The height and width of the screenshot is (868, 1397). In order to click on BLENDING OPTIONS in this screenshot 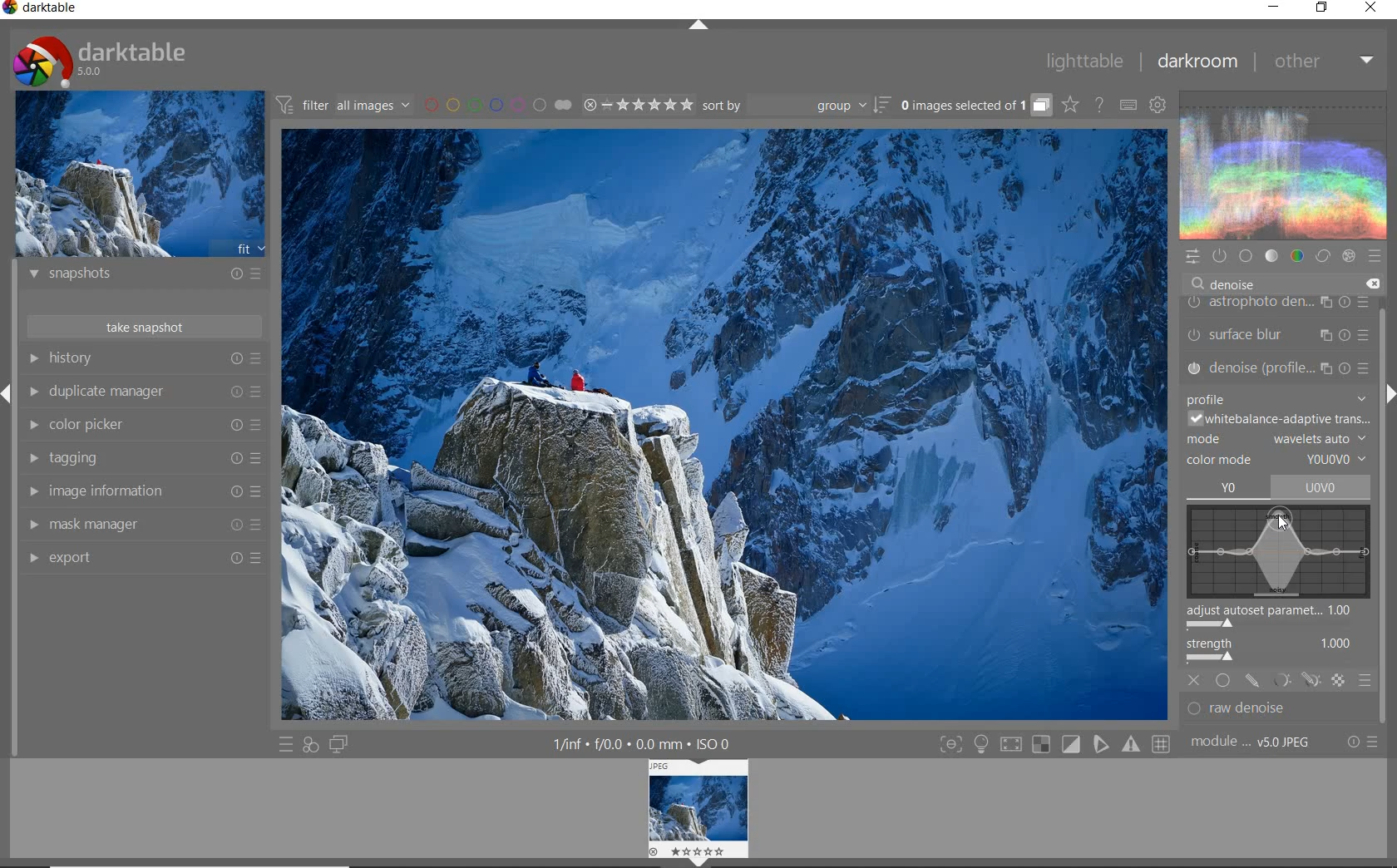, I will do `click(1365, 681)`.